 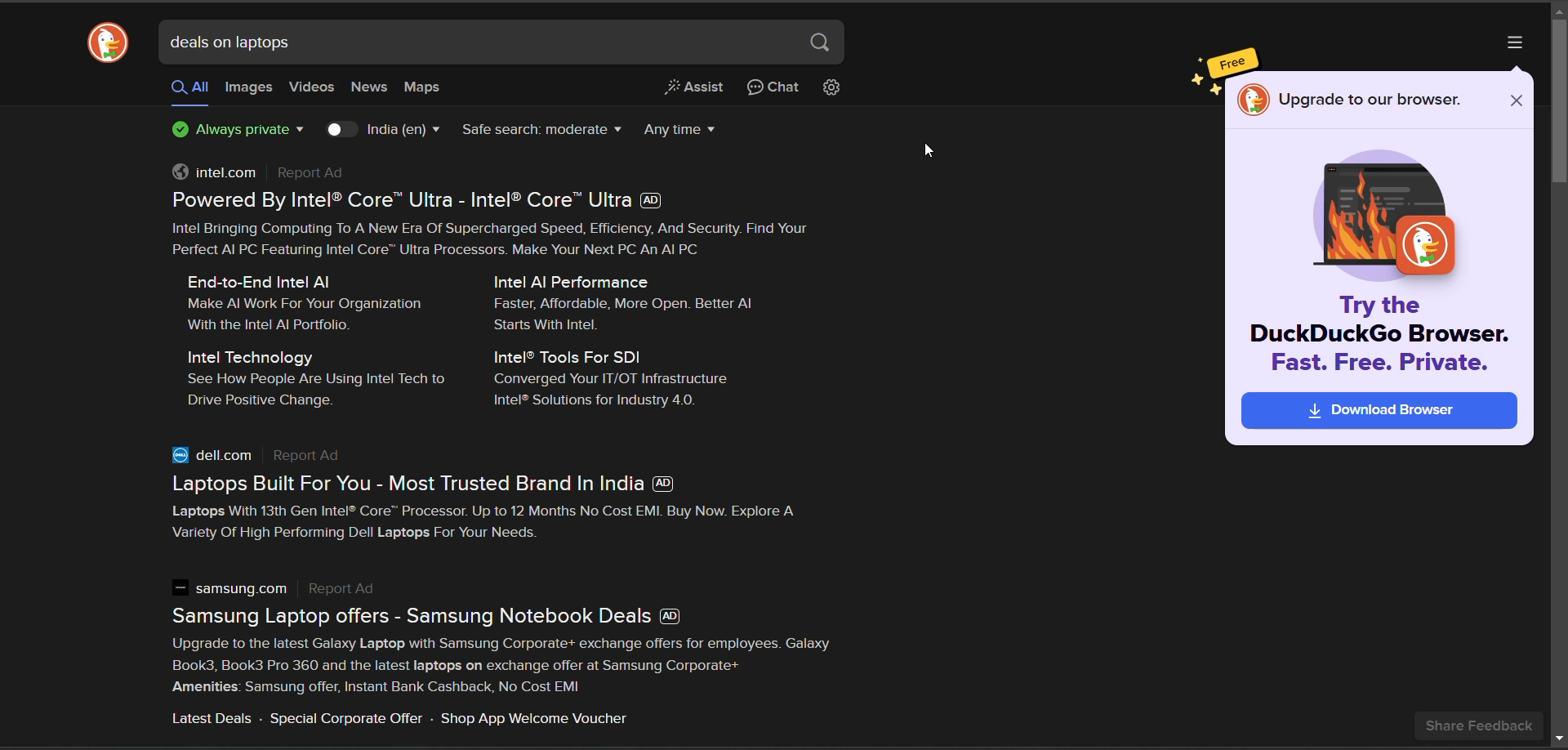 I want to click on result timeline filter, so click(x=684, y=127).